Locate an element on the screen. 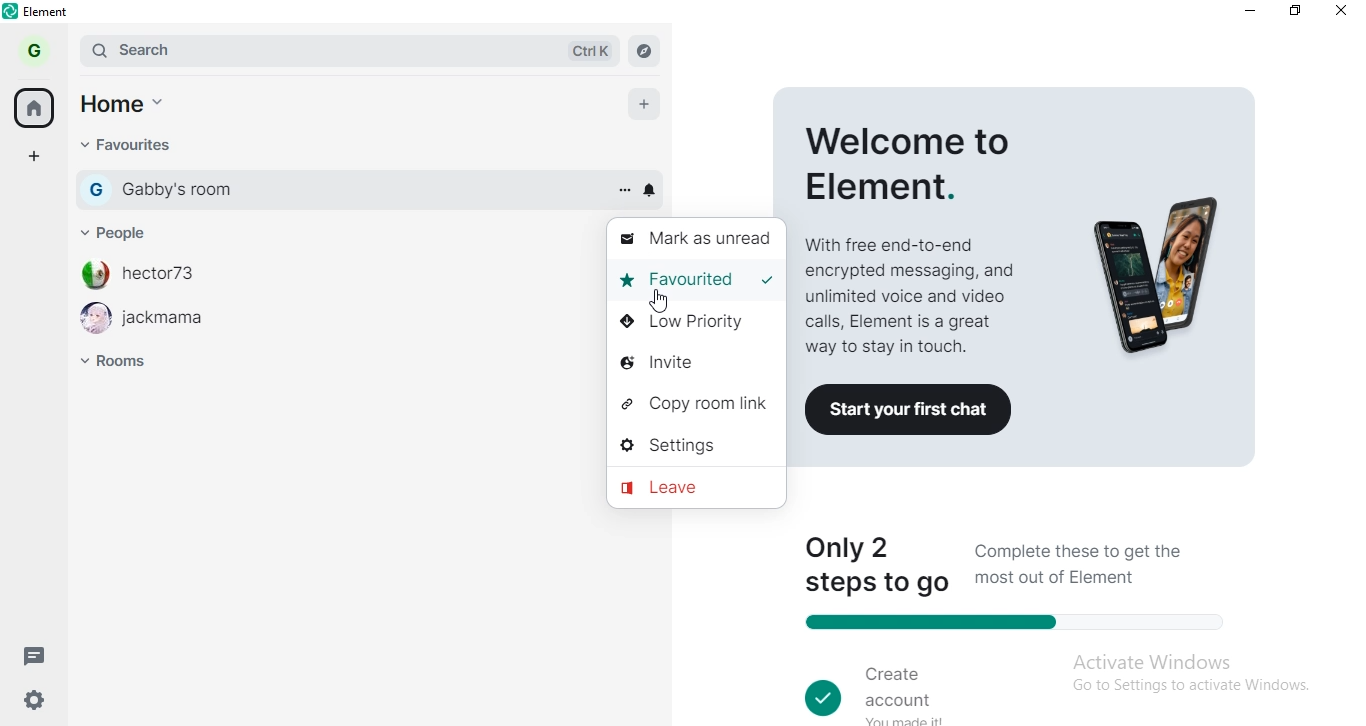  favourites is located at coordinates (127, 146).